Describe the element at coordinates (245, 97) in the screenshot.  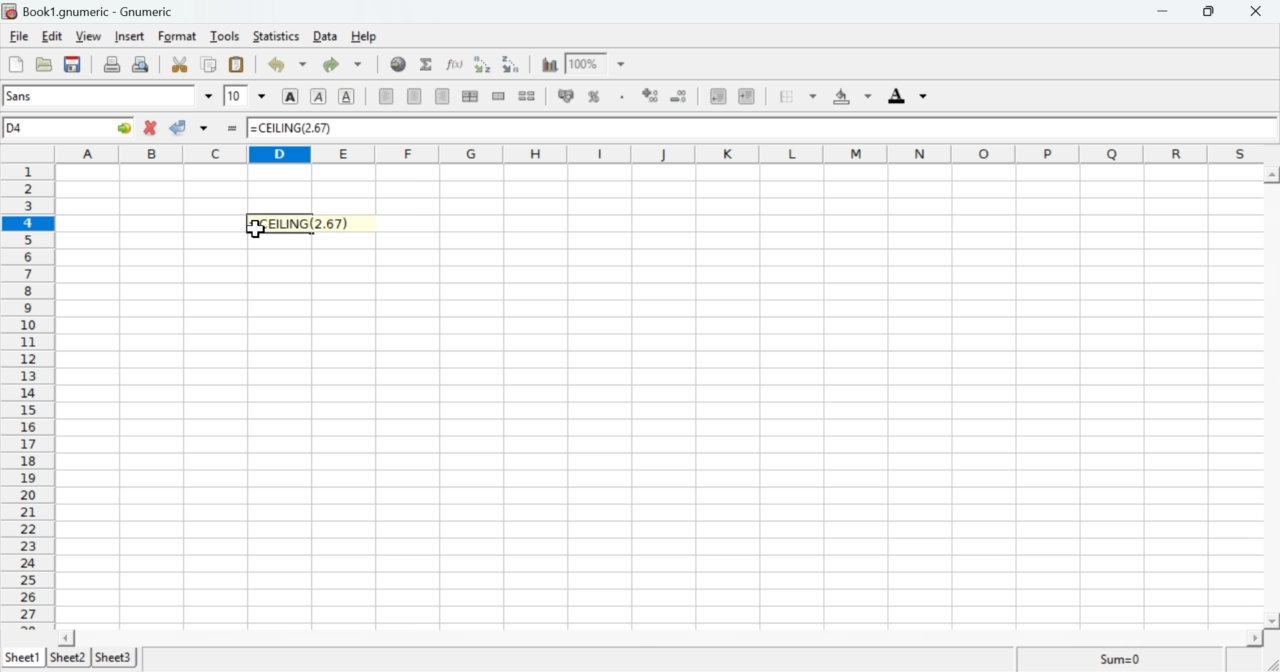
I see `Font size` at that location.